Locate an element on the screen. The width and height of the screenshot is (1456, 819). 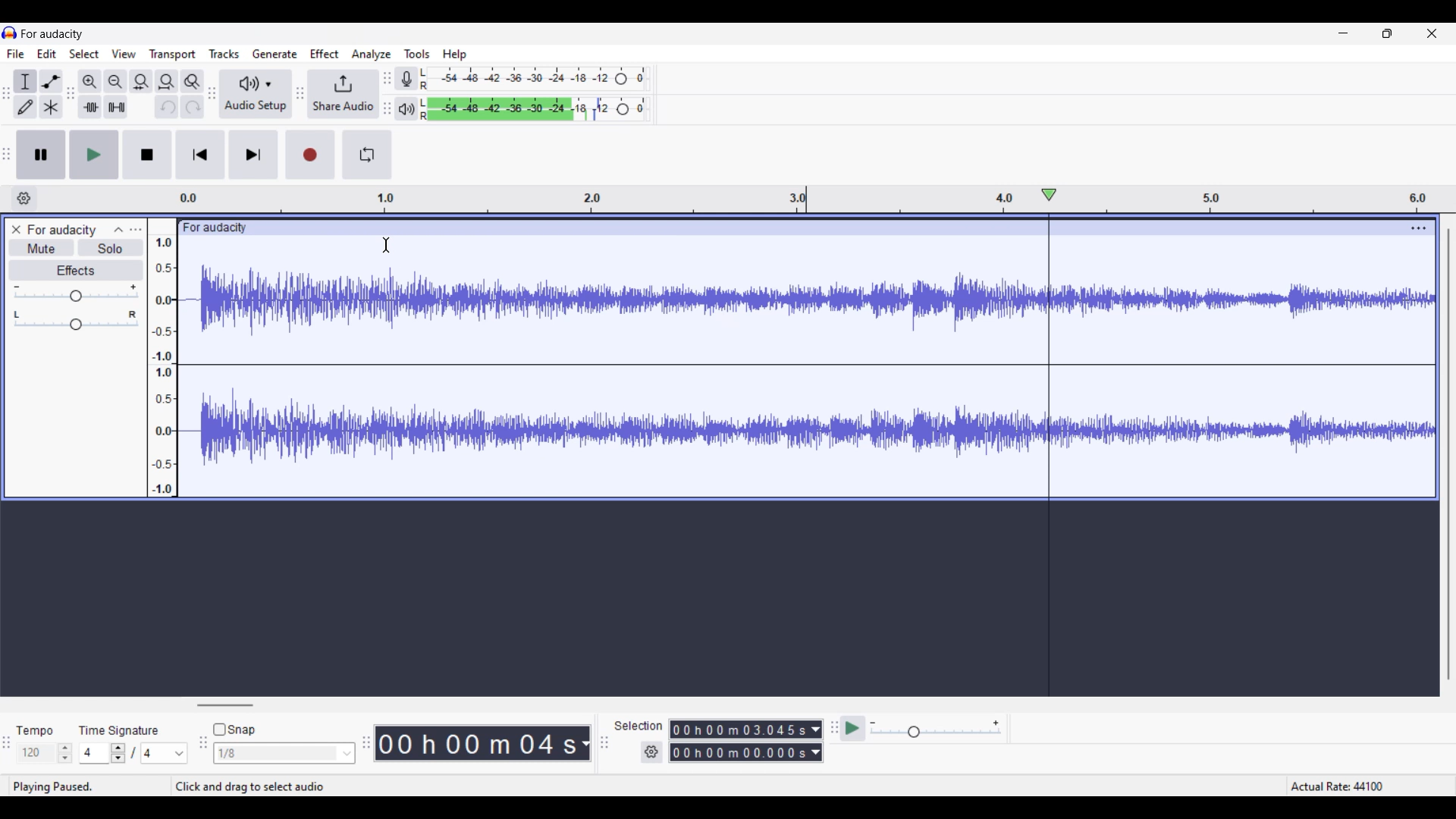
Undo is located at coordinates (167, 106).